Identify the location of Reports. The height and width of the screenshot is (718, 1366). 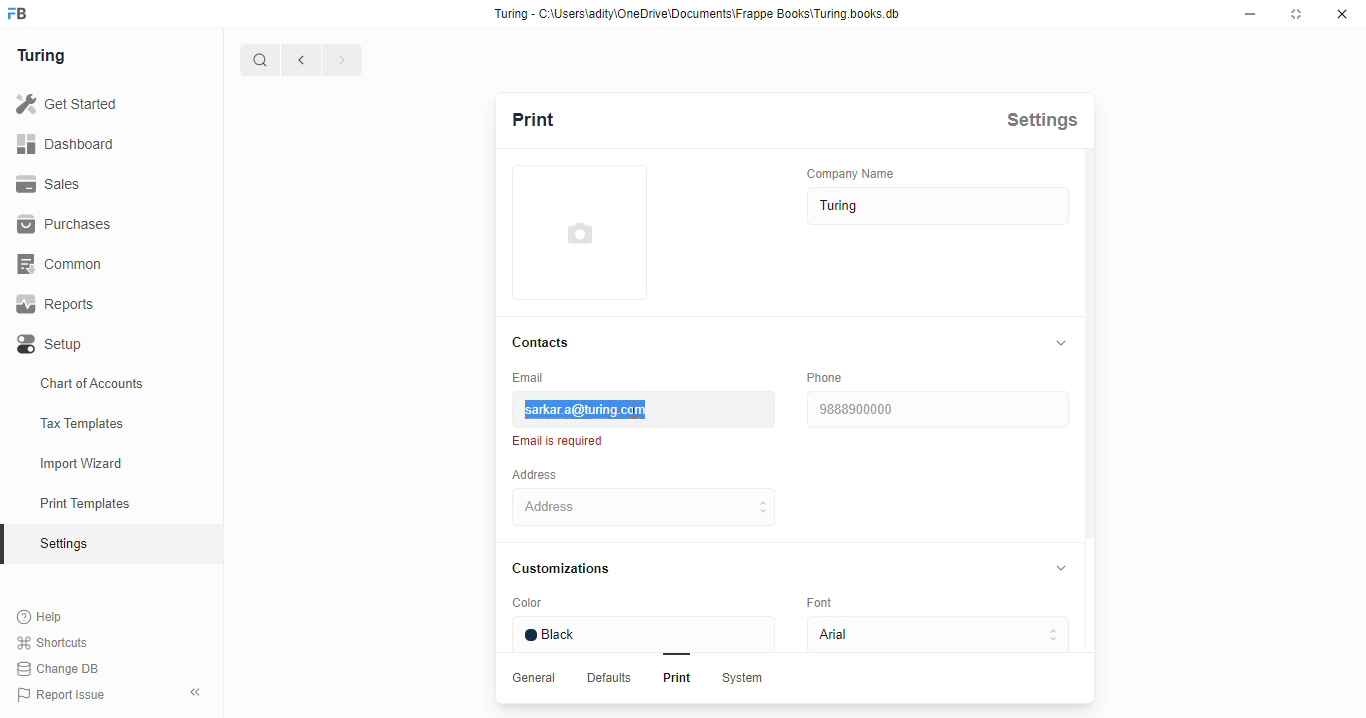
(63, 305).